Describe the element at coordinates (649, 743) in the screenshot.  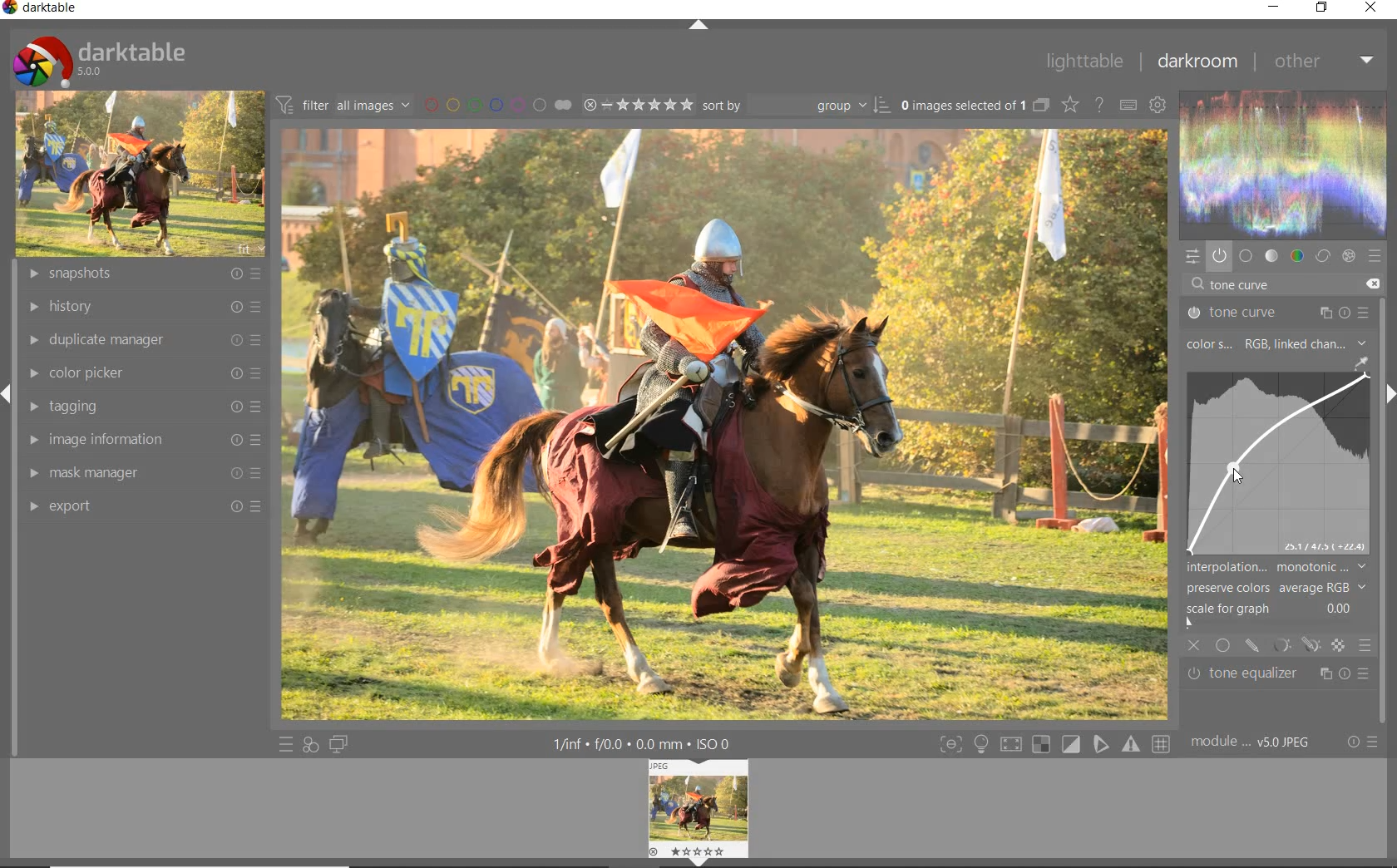
I see `1/fnf f/0.0 0.0 mm ISO 0` at that location.